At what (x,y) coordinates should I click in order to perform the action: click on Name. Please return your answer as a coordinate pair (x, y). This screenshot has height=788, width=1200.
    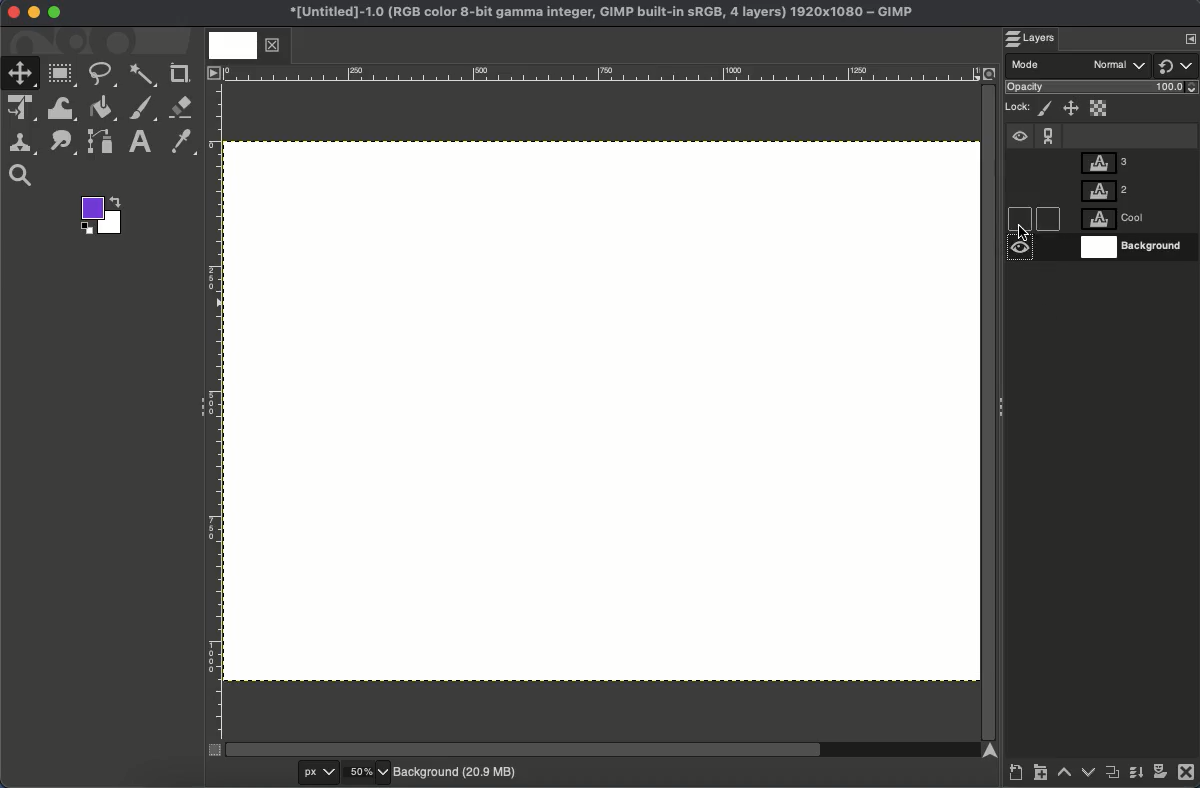
    Looking at the image, I should click on (597, 14).